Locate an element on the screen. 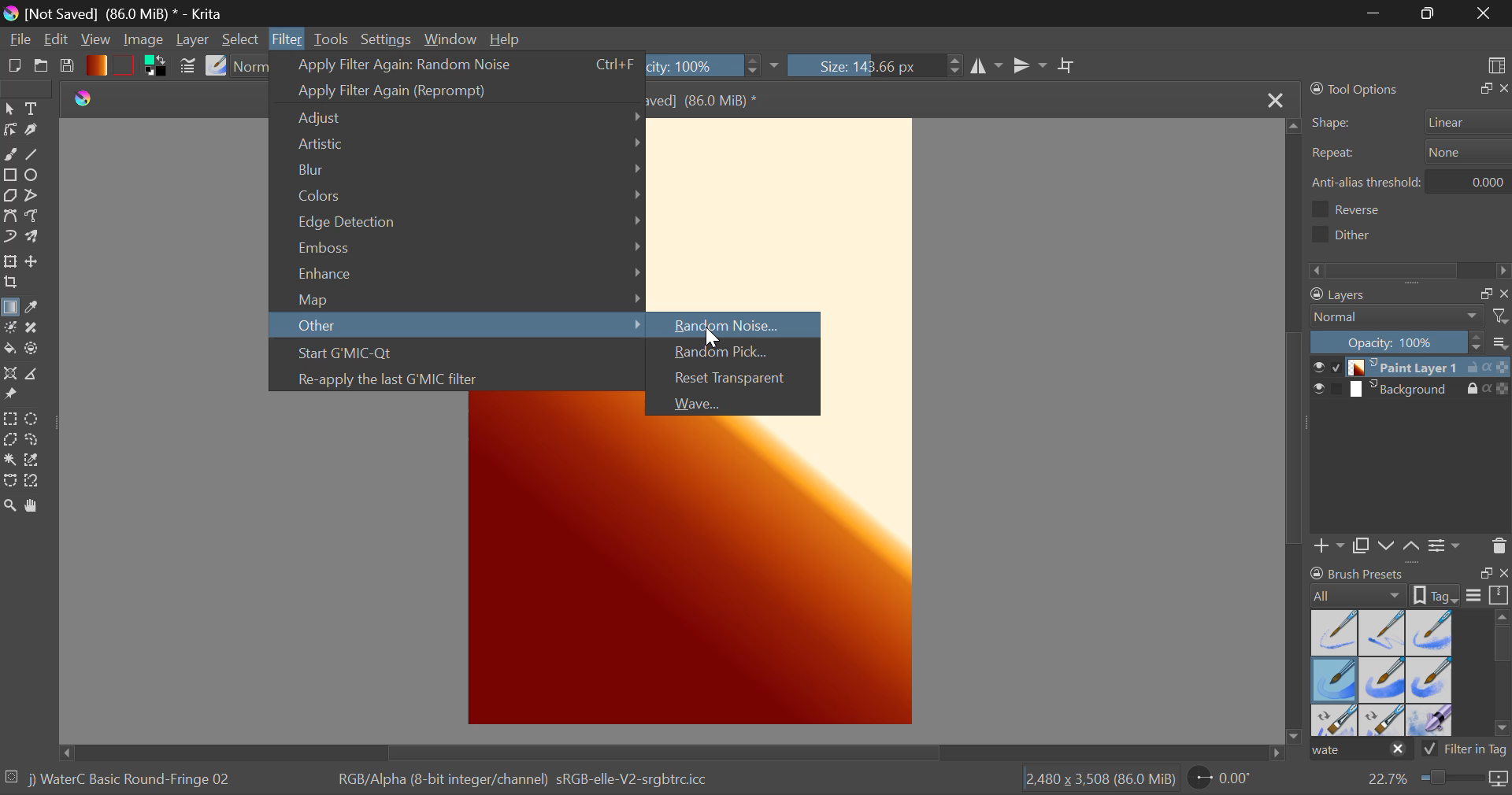 This screenshot has width=1512, height=795. Horizontal Mirror Flip is located at coordinates (1032, 67).